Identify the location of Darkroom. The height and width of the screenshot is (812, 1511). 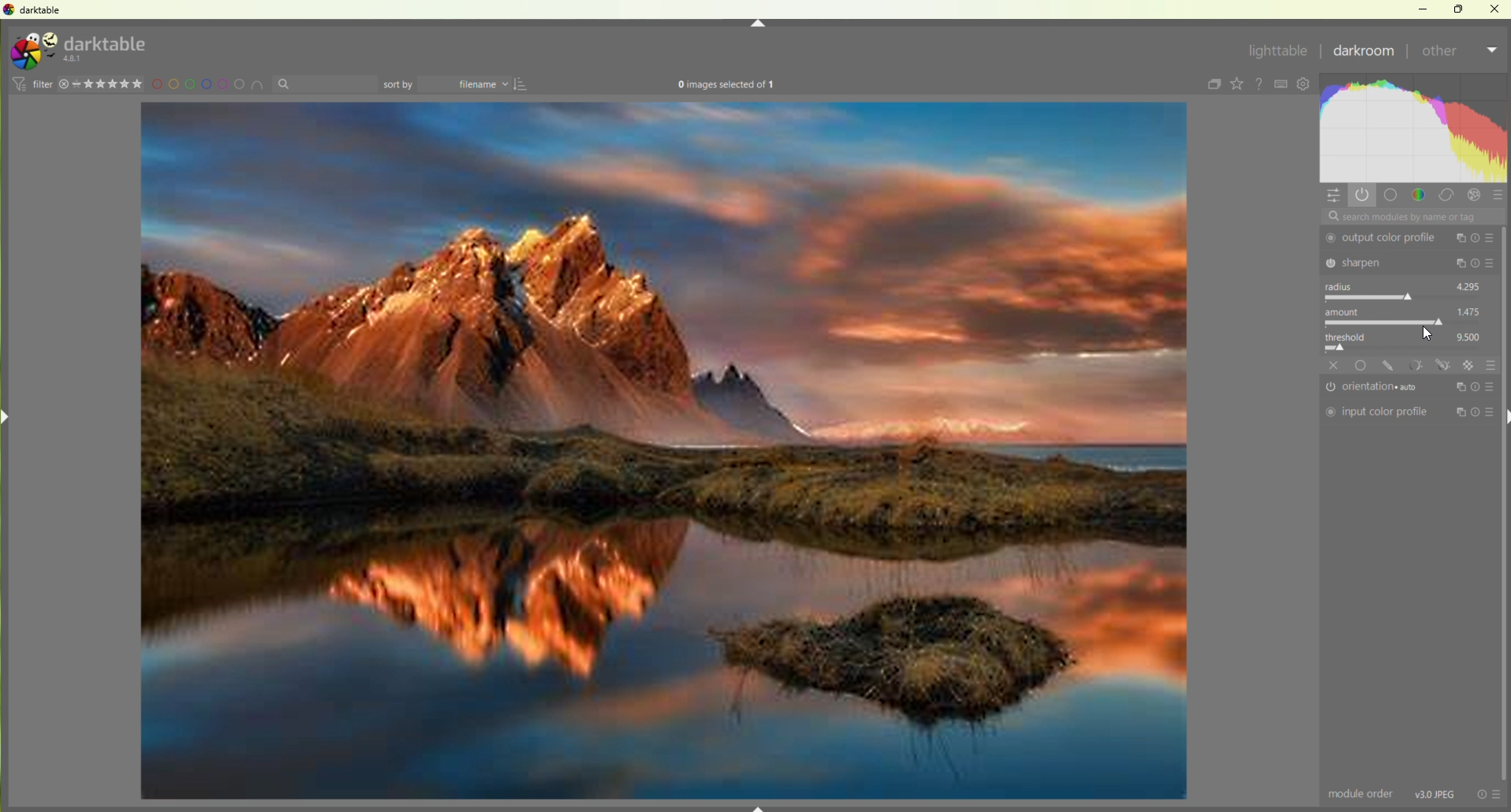
(1364, 53).